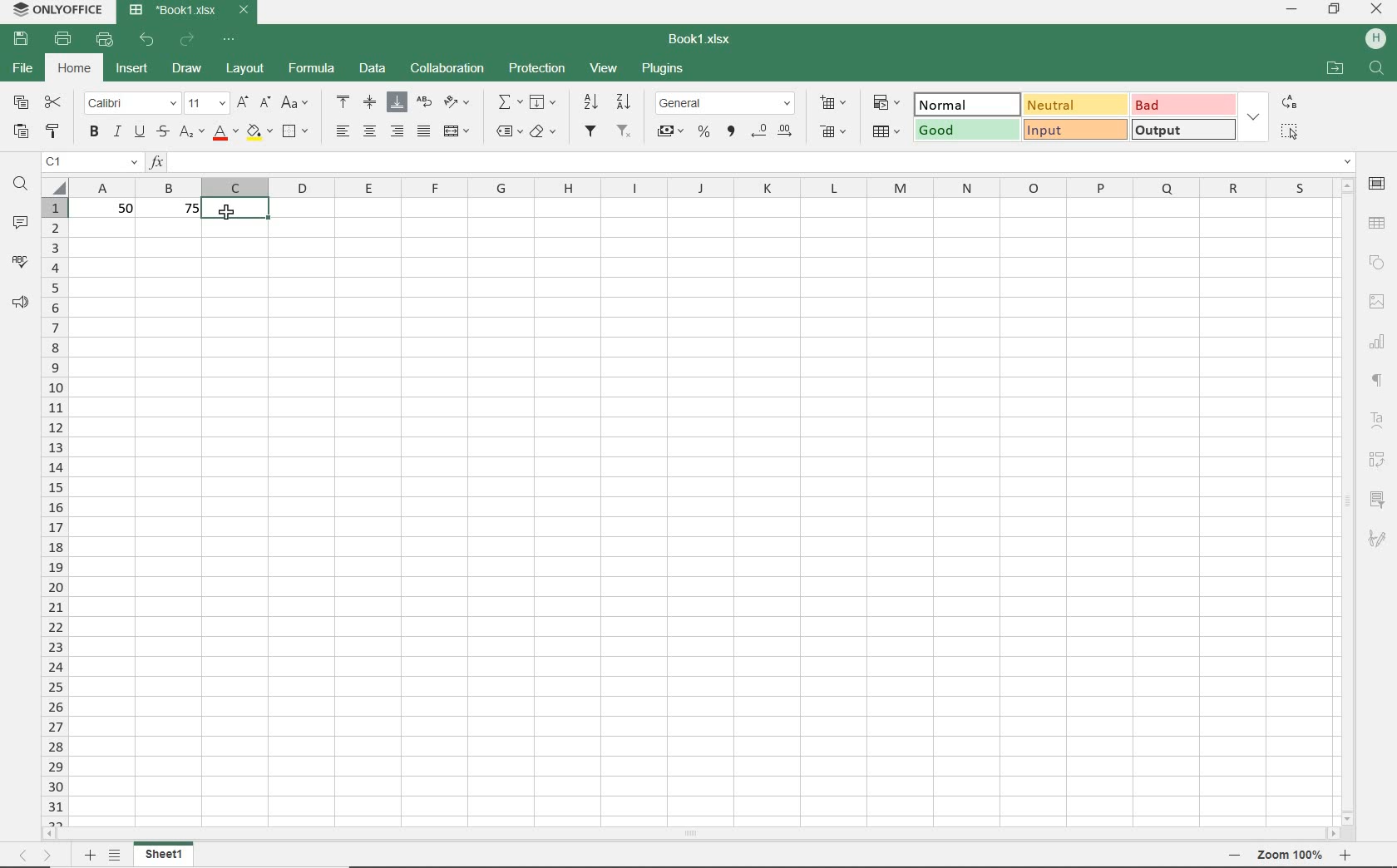 The image size is (1397, 868). Describe the element at coordinates (19, 303) in the screenshot. I see `feedback & support` at that location.